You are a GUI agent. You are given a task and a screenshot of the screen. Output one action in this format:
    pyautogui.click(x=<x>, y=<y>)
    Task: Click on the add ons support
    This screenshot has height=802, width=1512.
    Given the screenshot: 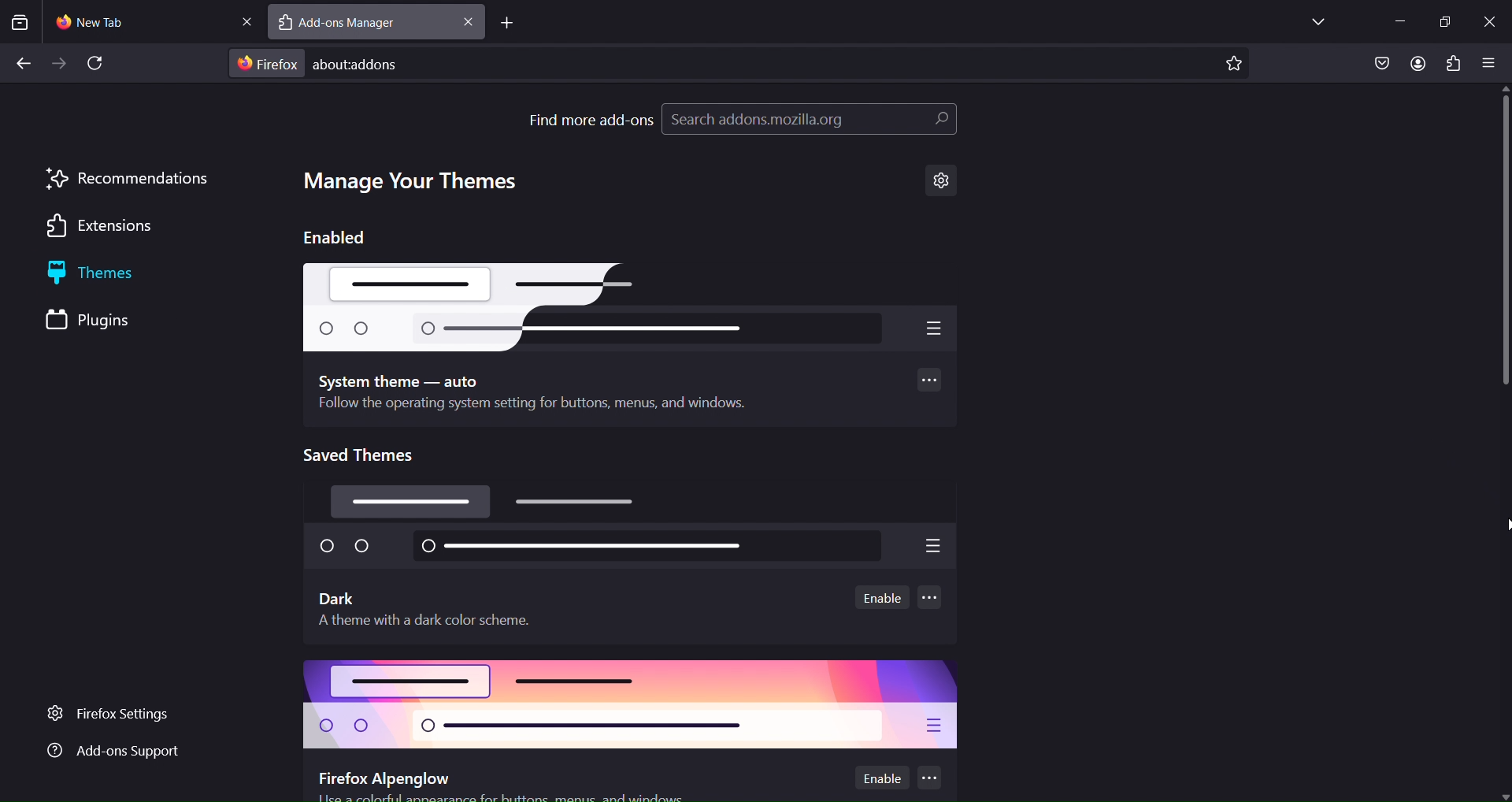 What is the action you would take?
    pyautogui.click(x=113, y=752)
    